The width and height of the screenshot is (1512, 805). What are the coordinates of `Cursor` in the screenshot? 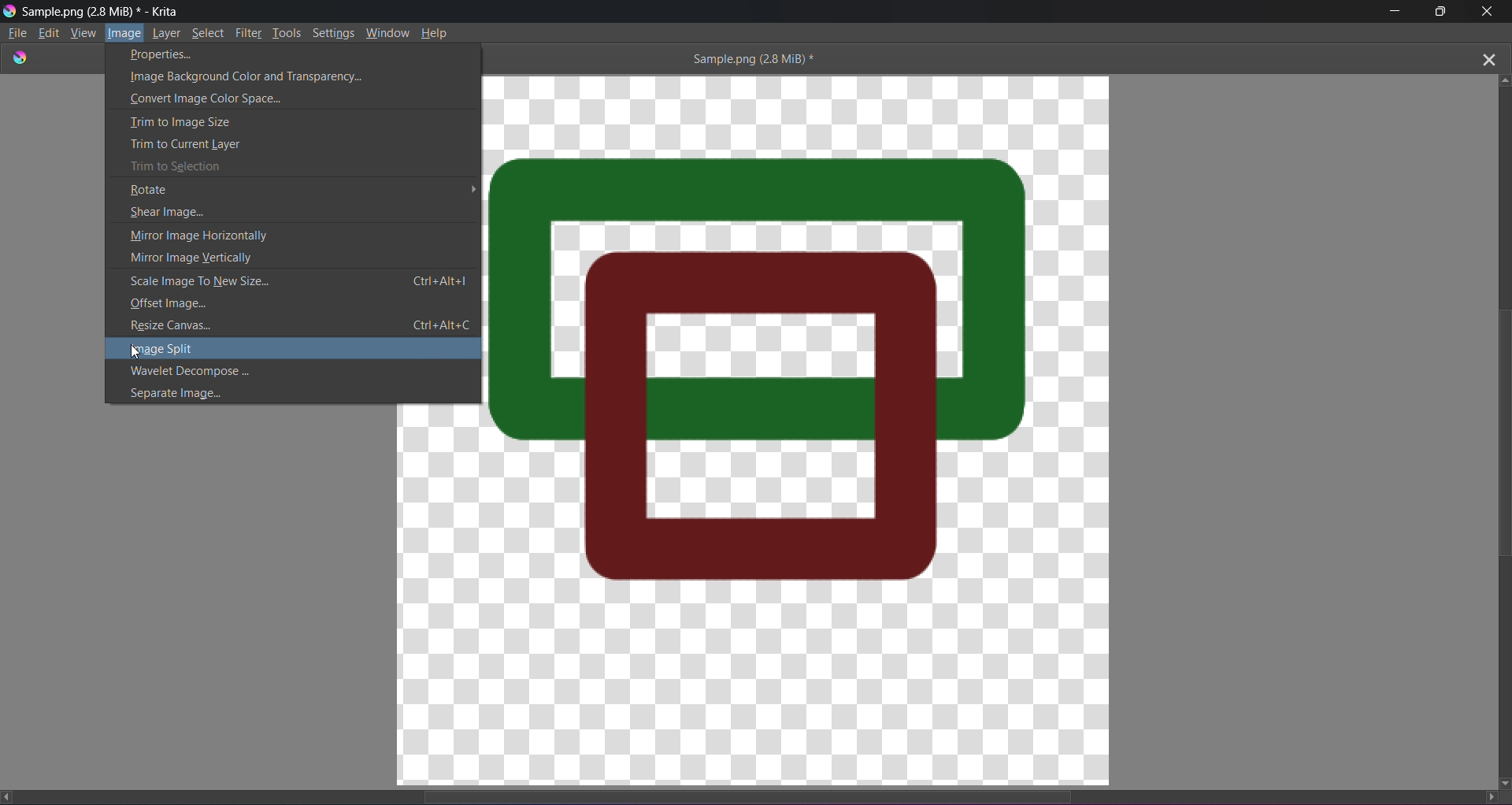 It's located at (136, 352).